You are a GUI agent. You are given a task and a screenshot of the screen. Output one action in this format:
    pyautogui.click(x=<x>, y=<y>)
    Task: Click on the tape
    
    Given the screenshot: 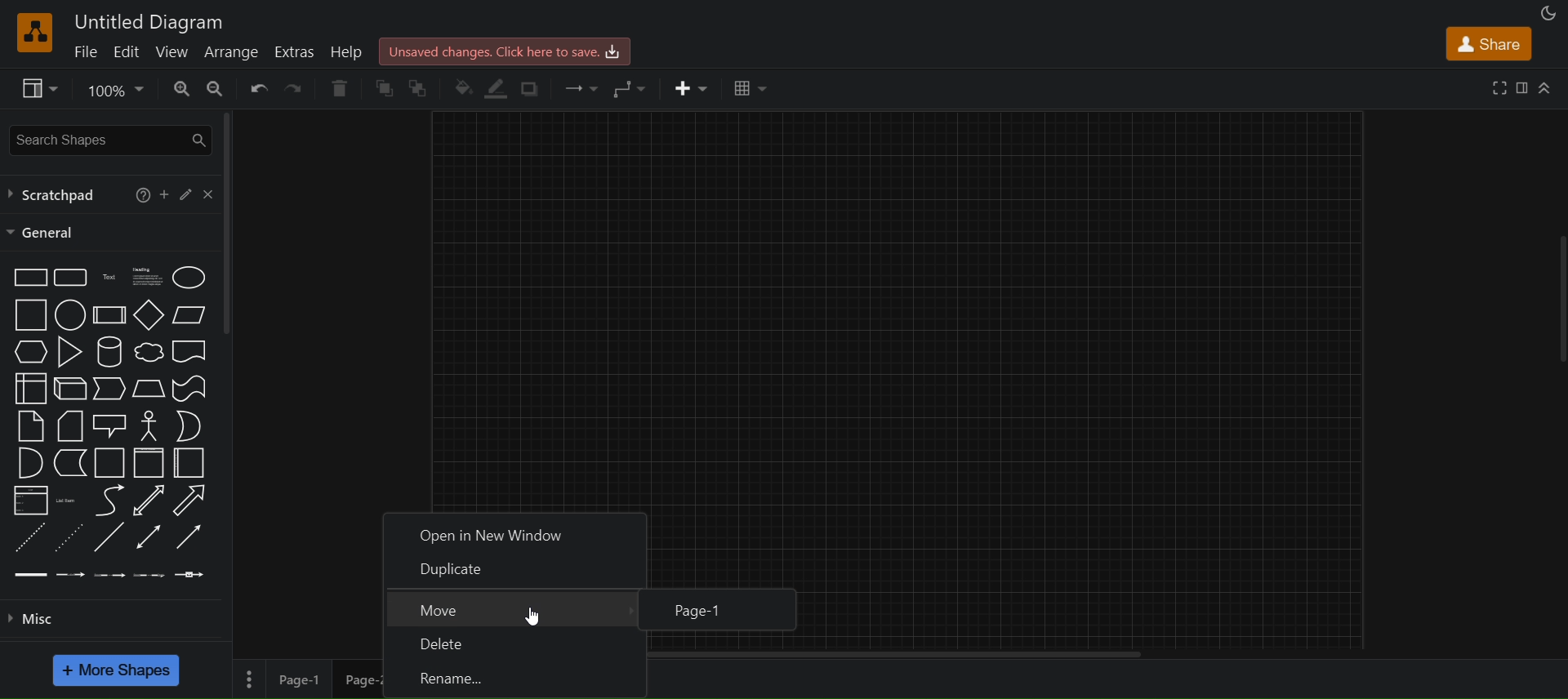 What is the action you would take?
    pyautogui.click(x=189, y=388)
    